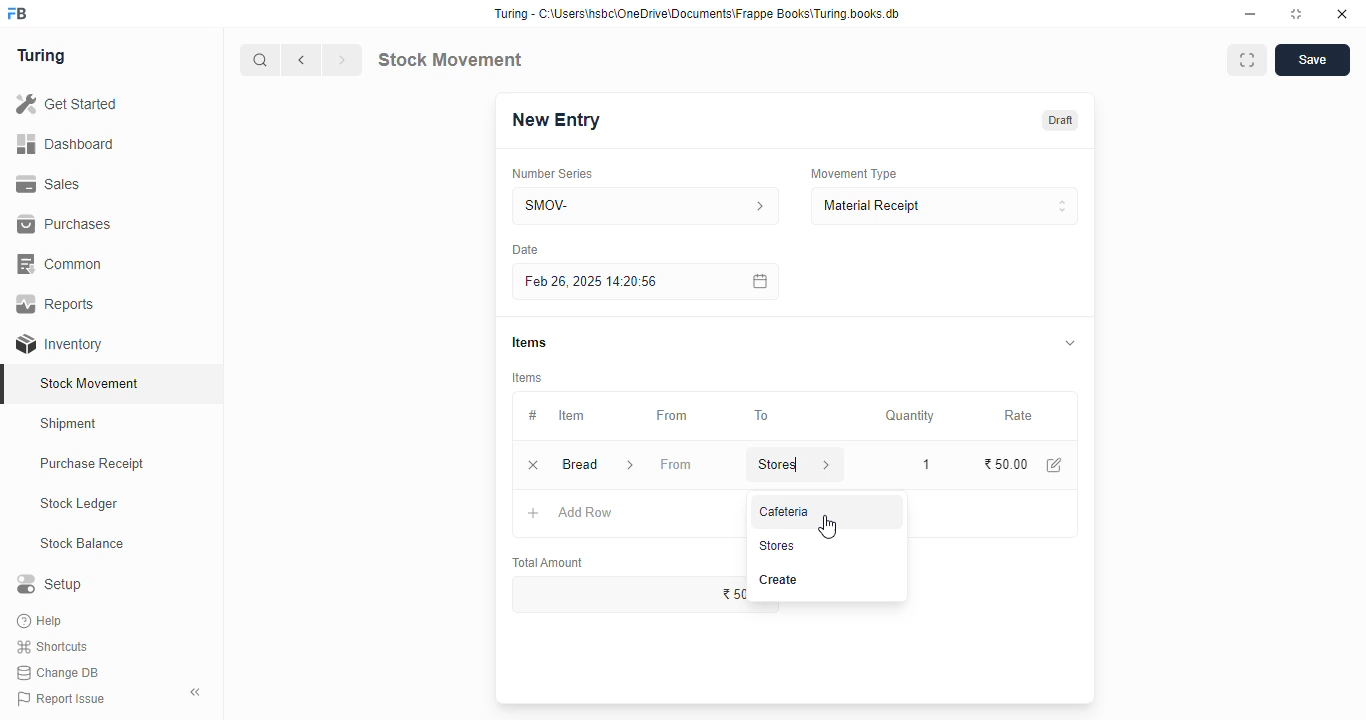 Image resolution: width=1366 pixels, height=720 pixels. I want to click on change DB, so click(58, 673).